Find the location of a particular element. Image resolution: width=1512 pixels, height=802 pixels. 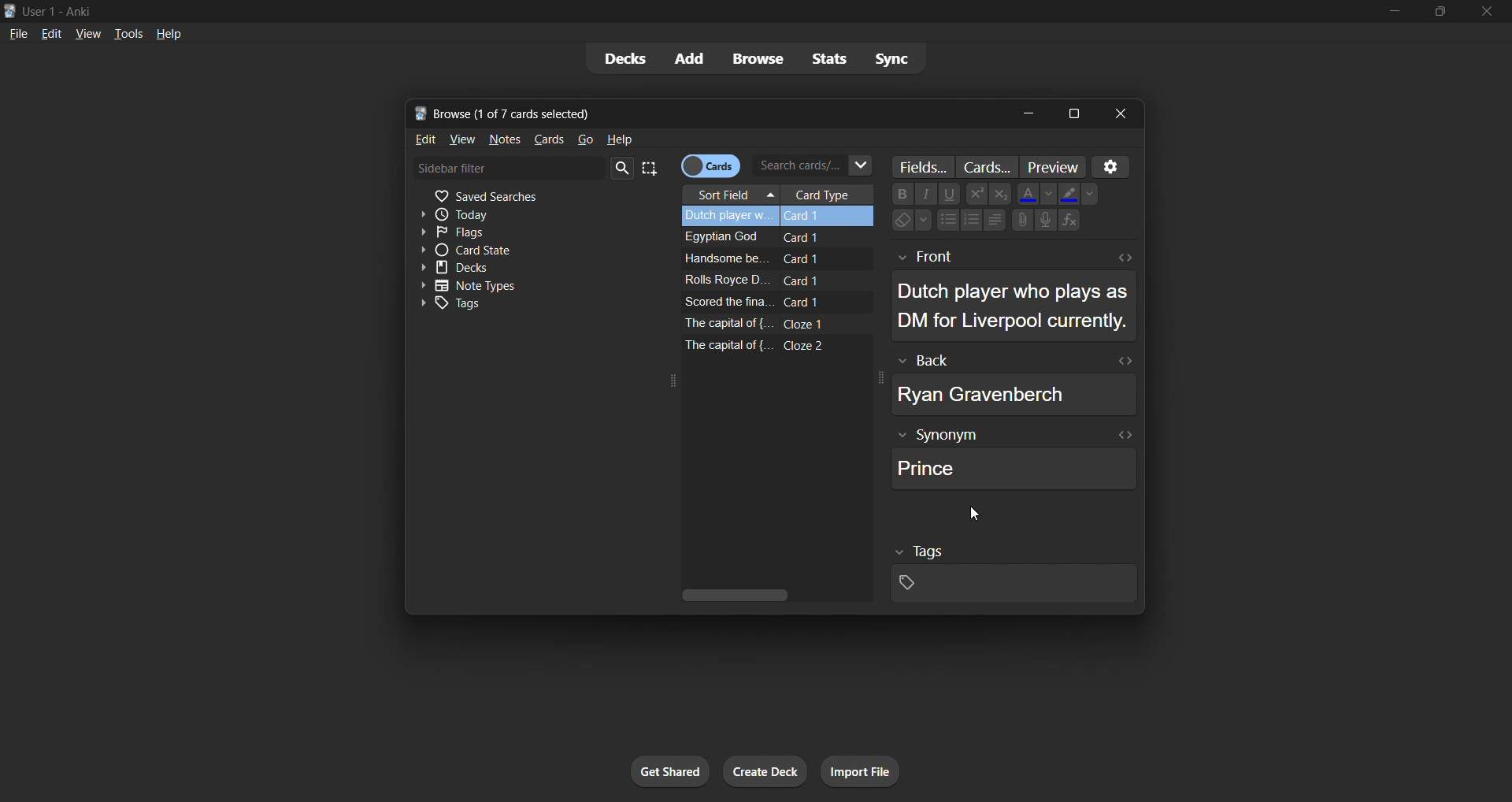

edit is located at coordinates (424, 139).